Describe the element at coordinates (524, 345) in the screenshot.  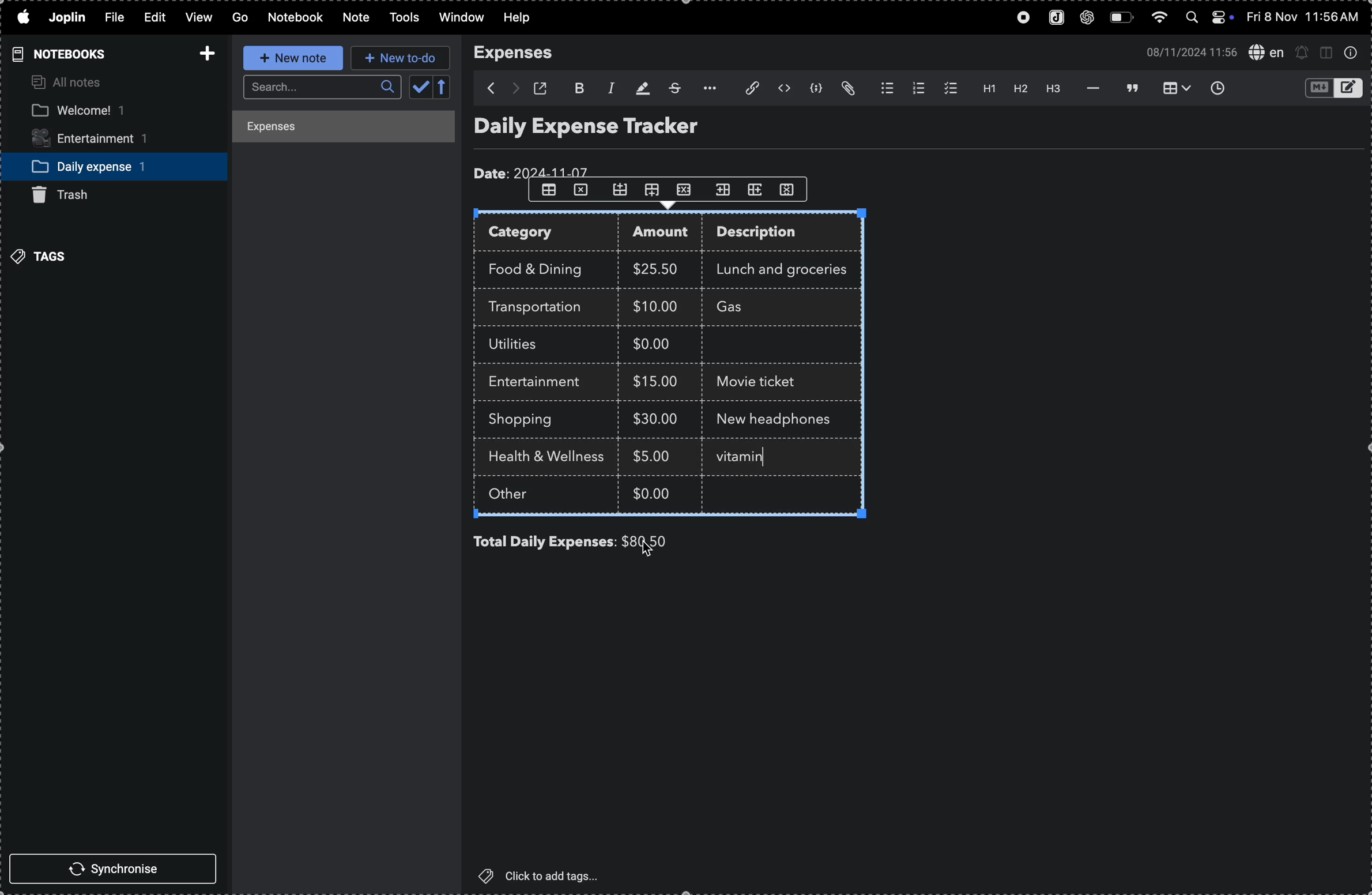
I see `utilites` at that location.